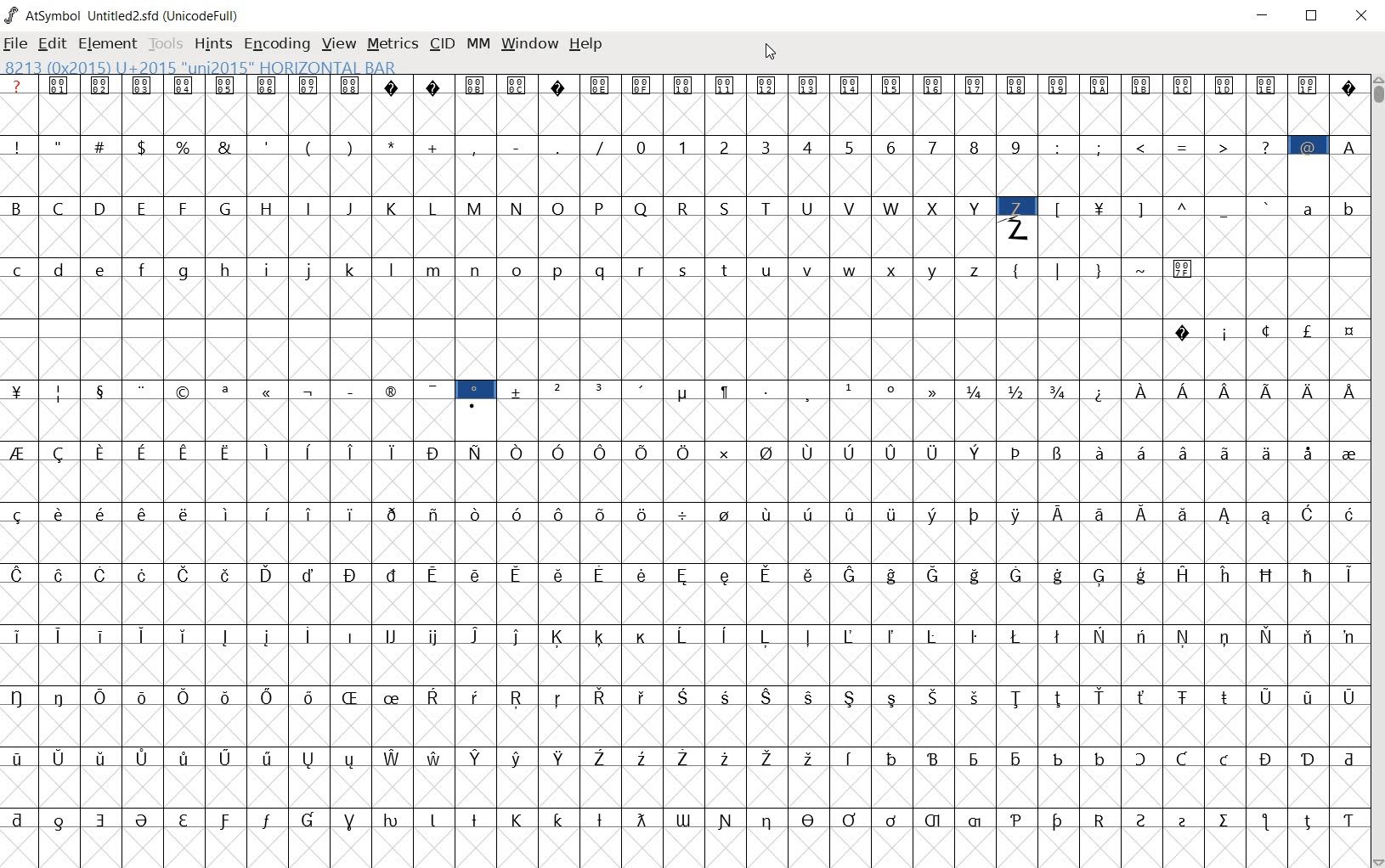  I want to click on ENCODING, so click(277, 44).